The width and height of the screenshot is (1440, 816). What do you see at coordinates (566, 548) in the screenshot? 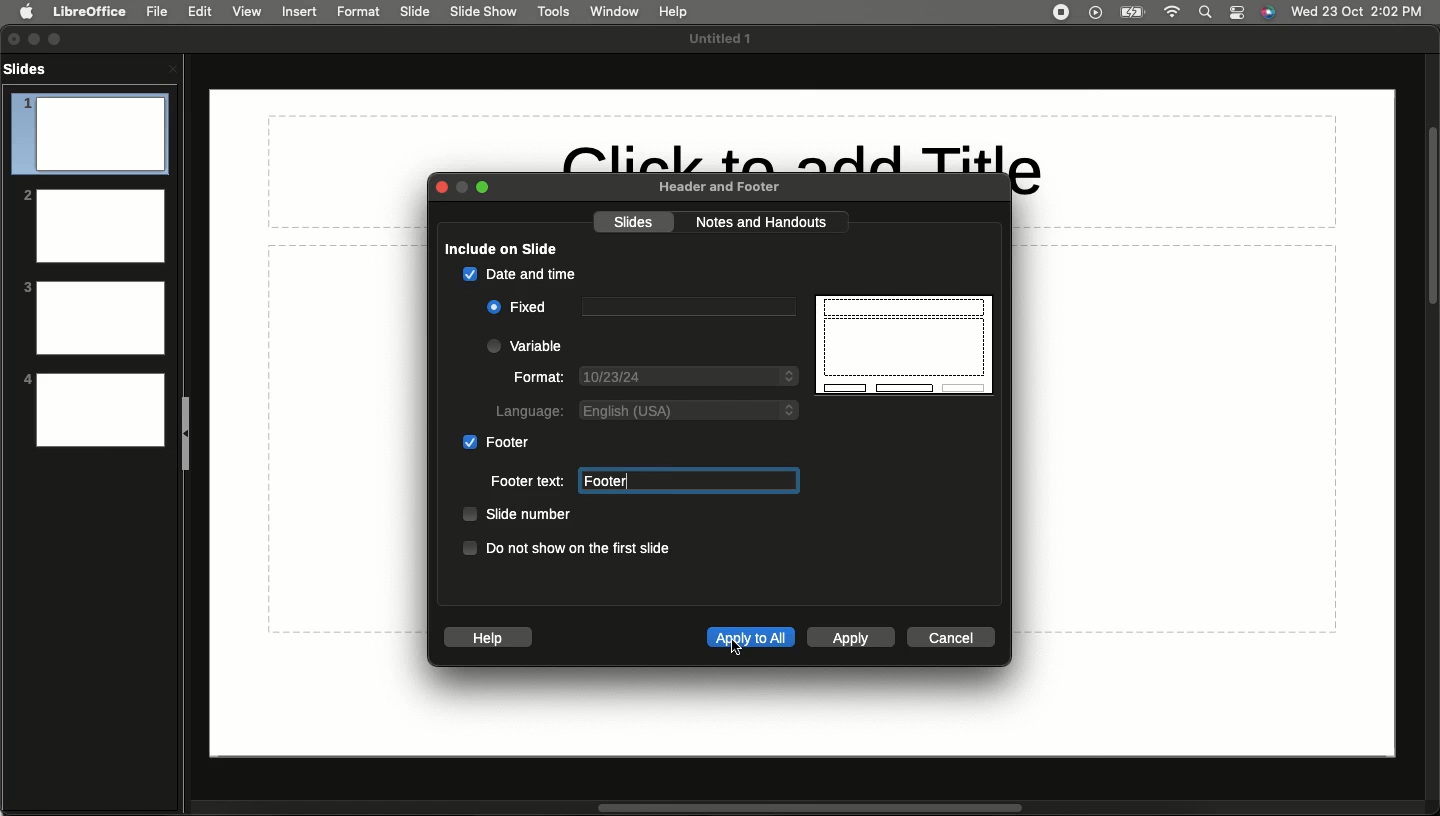
I see `Do not show on the first slide` at bounding box center [566, 548].